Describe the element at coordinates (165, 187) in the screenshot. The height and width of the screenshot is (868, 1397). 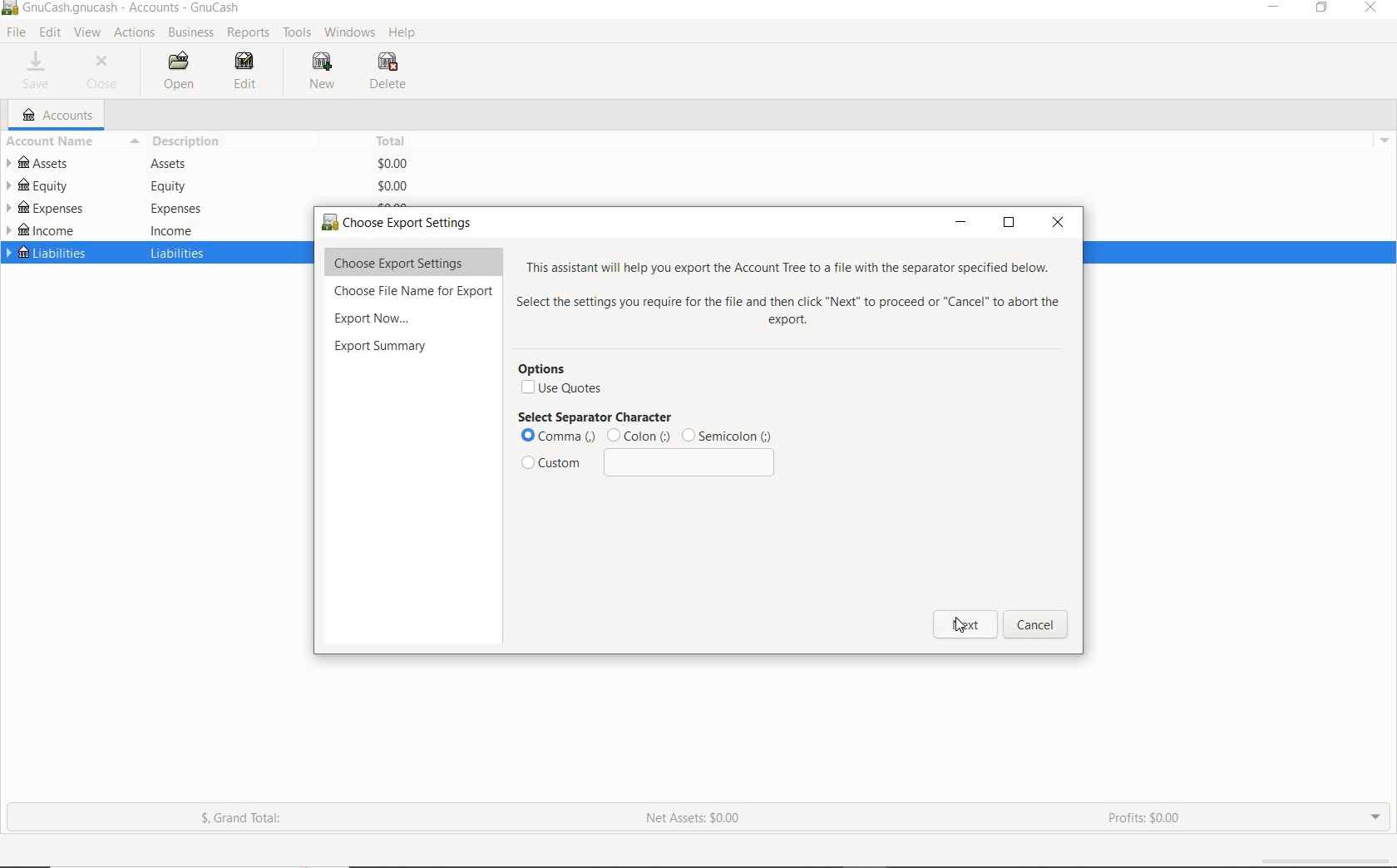
I see `equity` at that location.